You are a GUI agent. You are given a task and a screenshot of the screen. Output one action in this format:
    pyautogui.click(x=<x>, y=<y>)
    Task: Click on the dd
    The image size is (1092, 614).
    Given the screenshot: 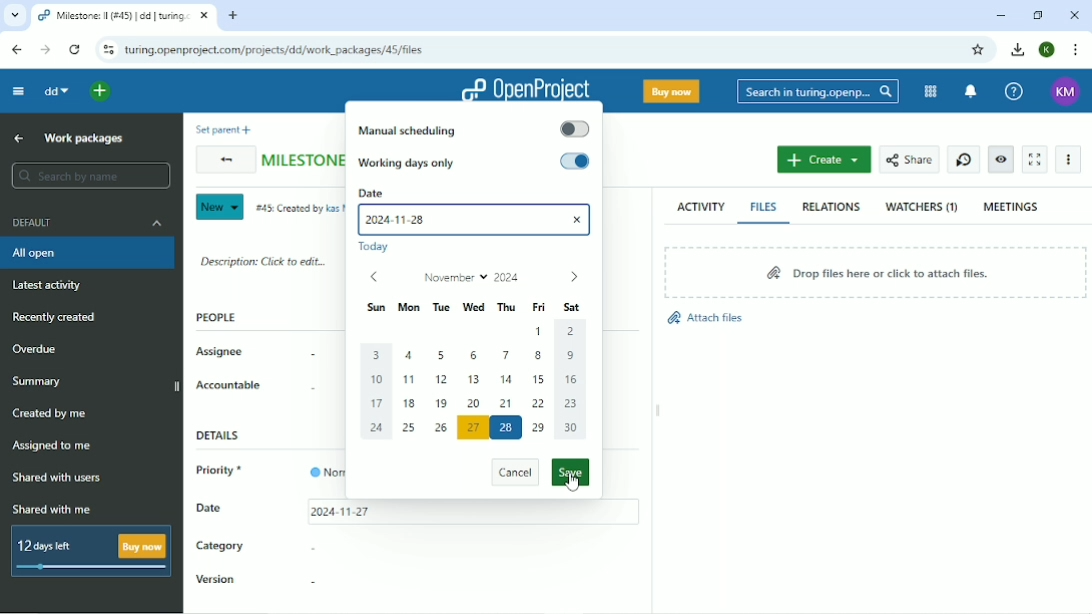 What is the action you would take?
    pyautogui.click(x=54, y=91)
    